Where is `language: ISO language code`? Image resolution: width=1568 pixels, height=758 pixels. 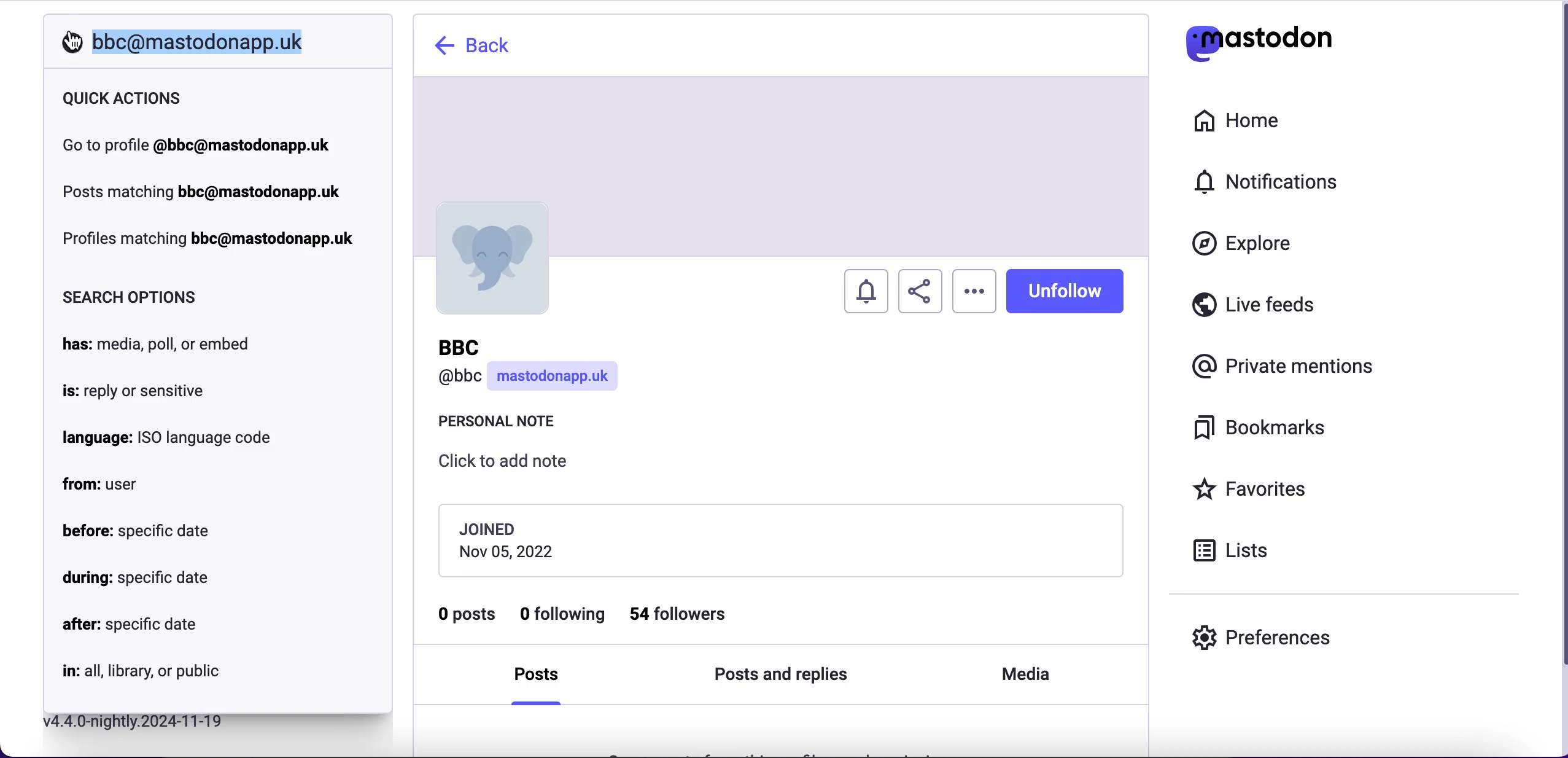 language: ISO language code is located at coordinates (167, 437).